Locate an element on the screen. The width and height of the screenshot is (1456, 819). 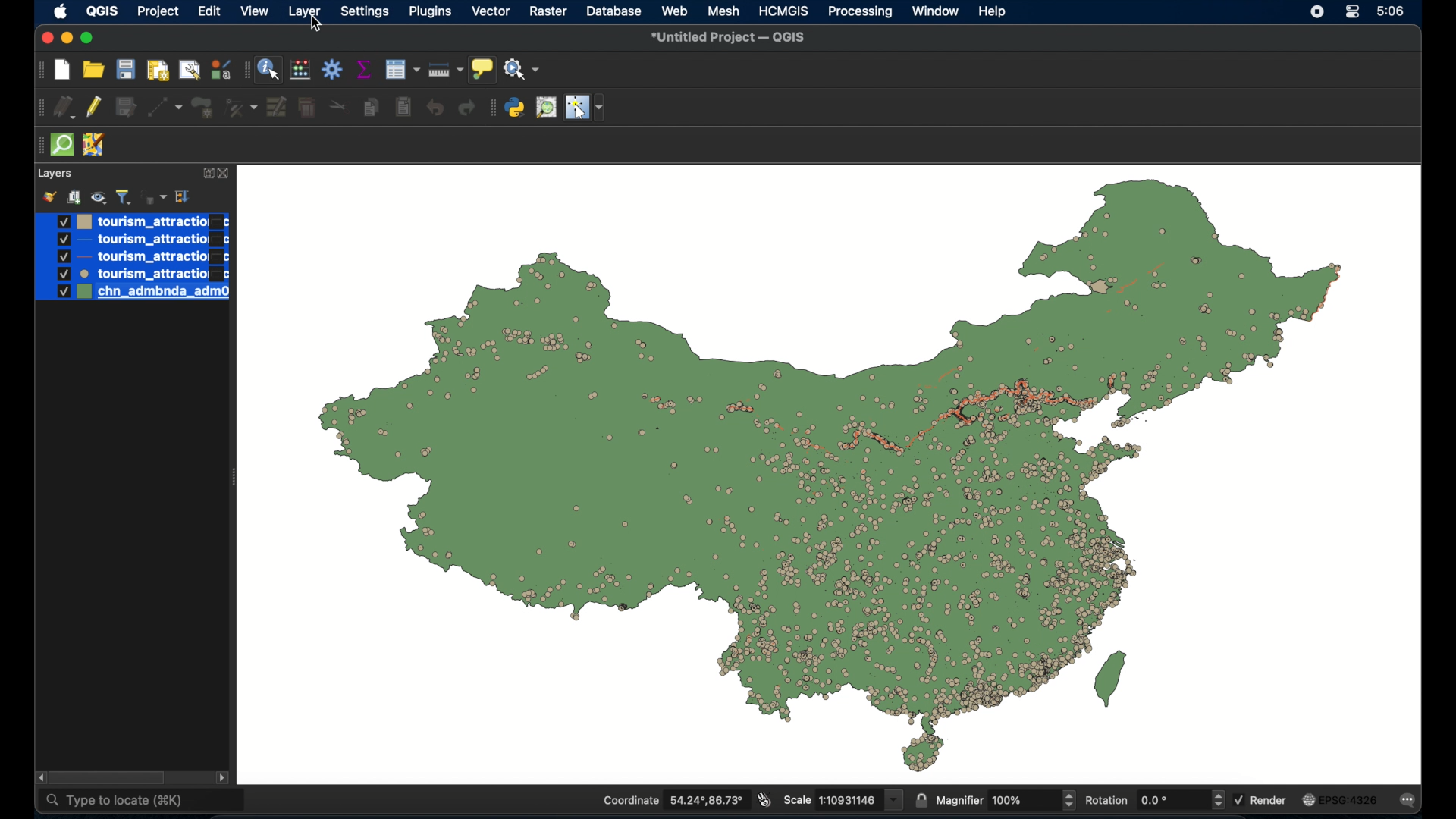
expand is located at coordinates (206, 174).